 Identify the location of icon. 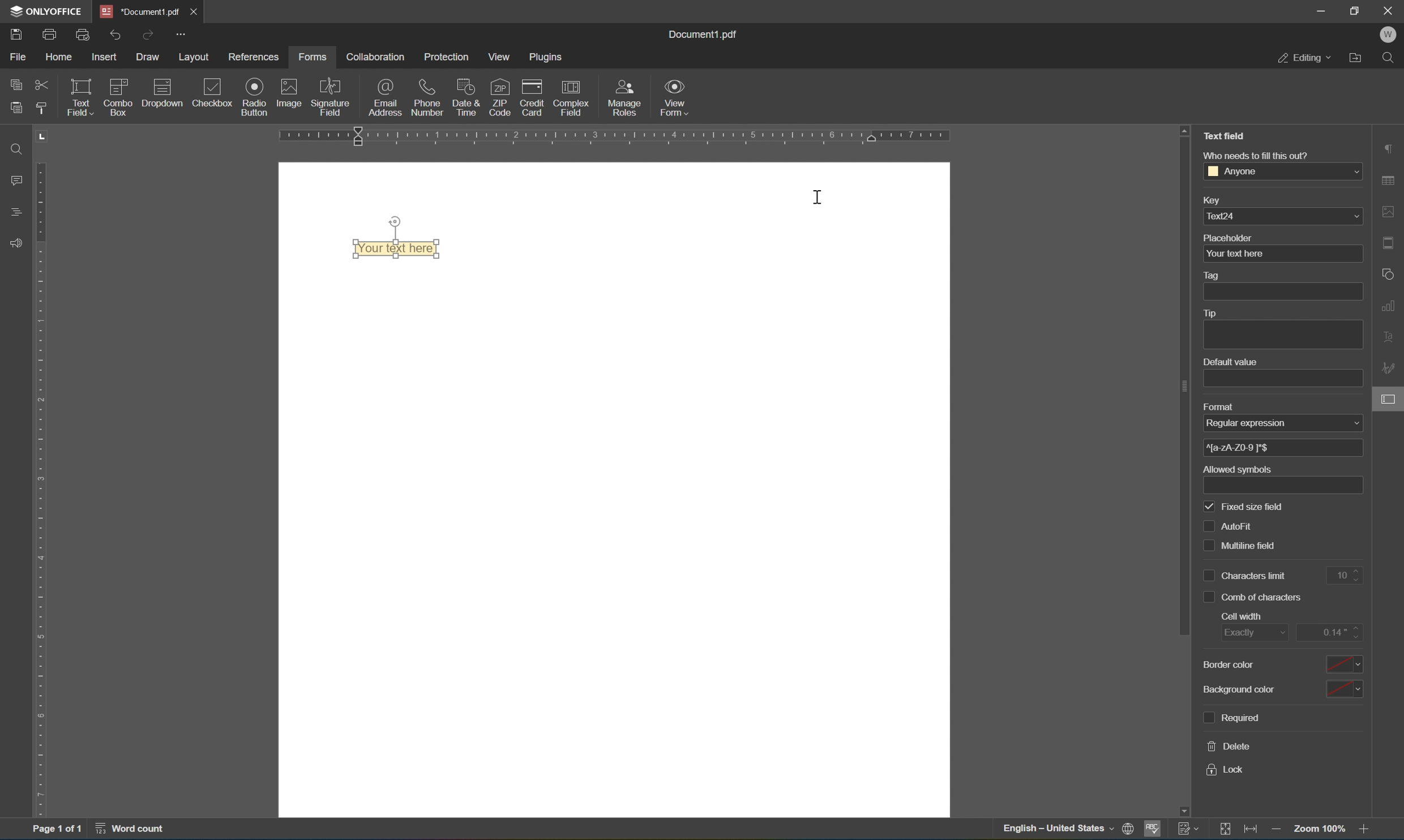
(118, 98).